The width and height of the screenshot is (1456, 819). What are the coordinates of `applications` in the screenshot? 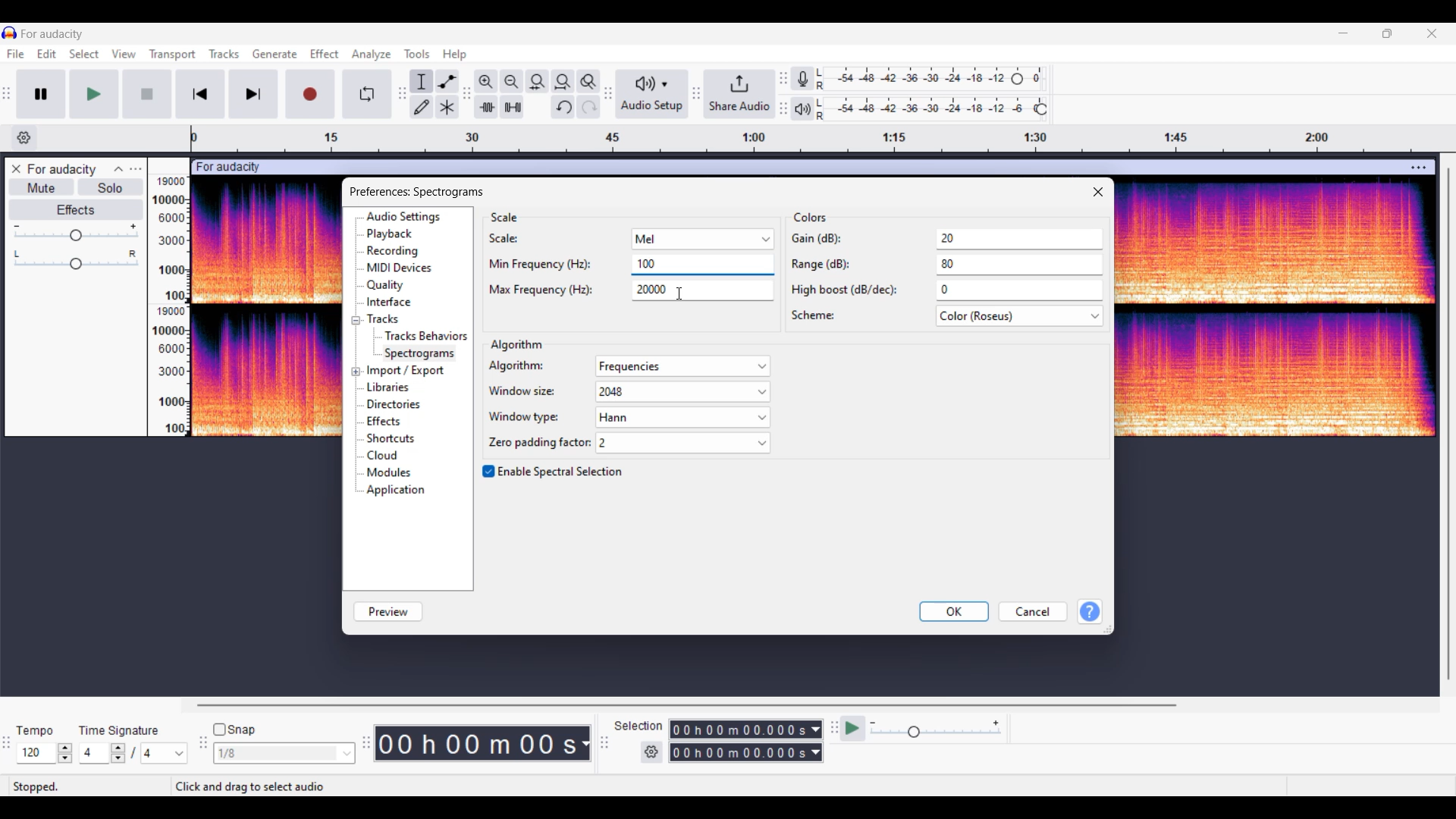 It's located at (398, 491).